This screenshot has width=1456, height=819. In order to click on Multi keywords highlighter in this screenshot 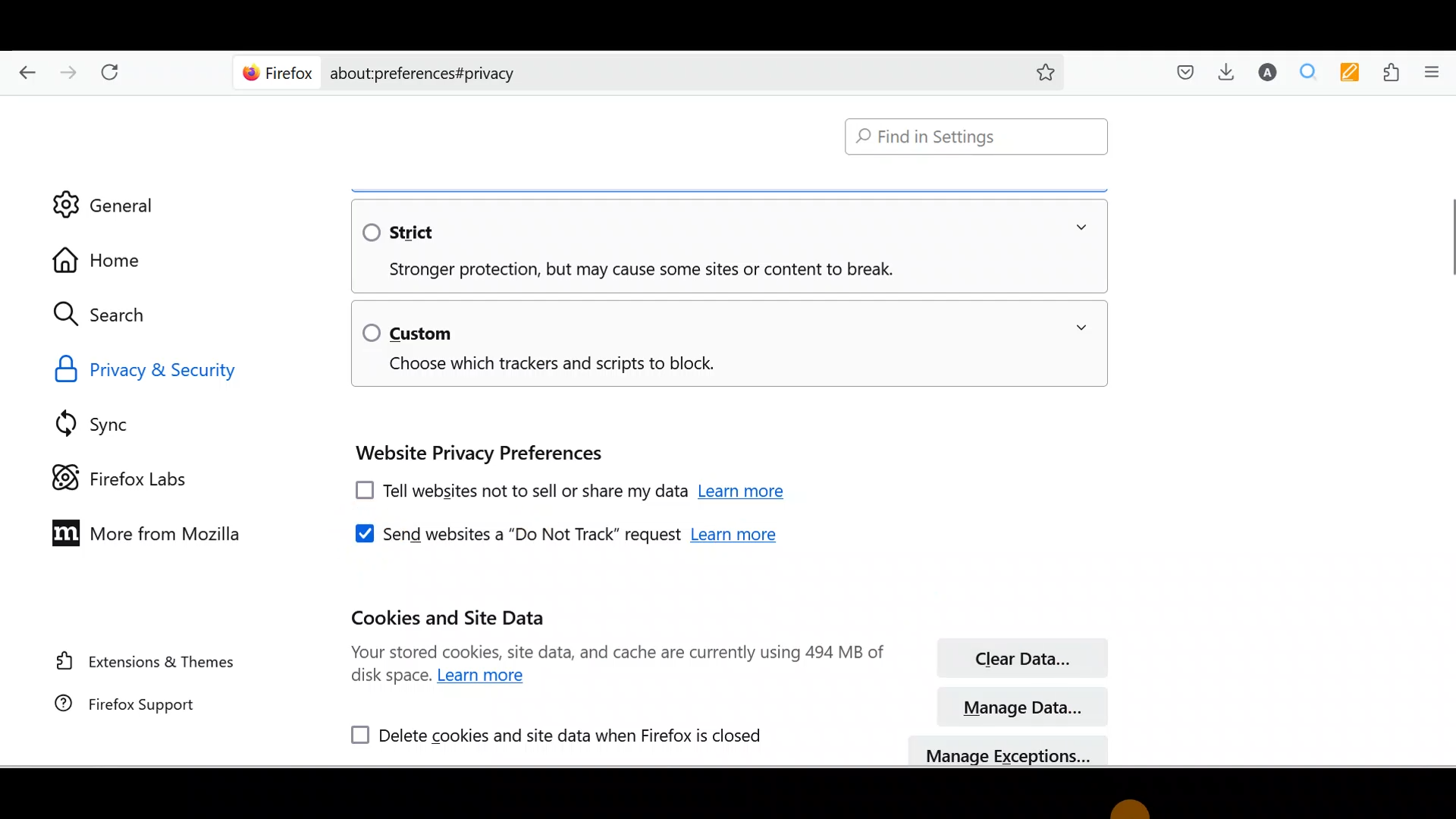, I will do `click(1348, 72)`.